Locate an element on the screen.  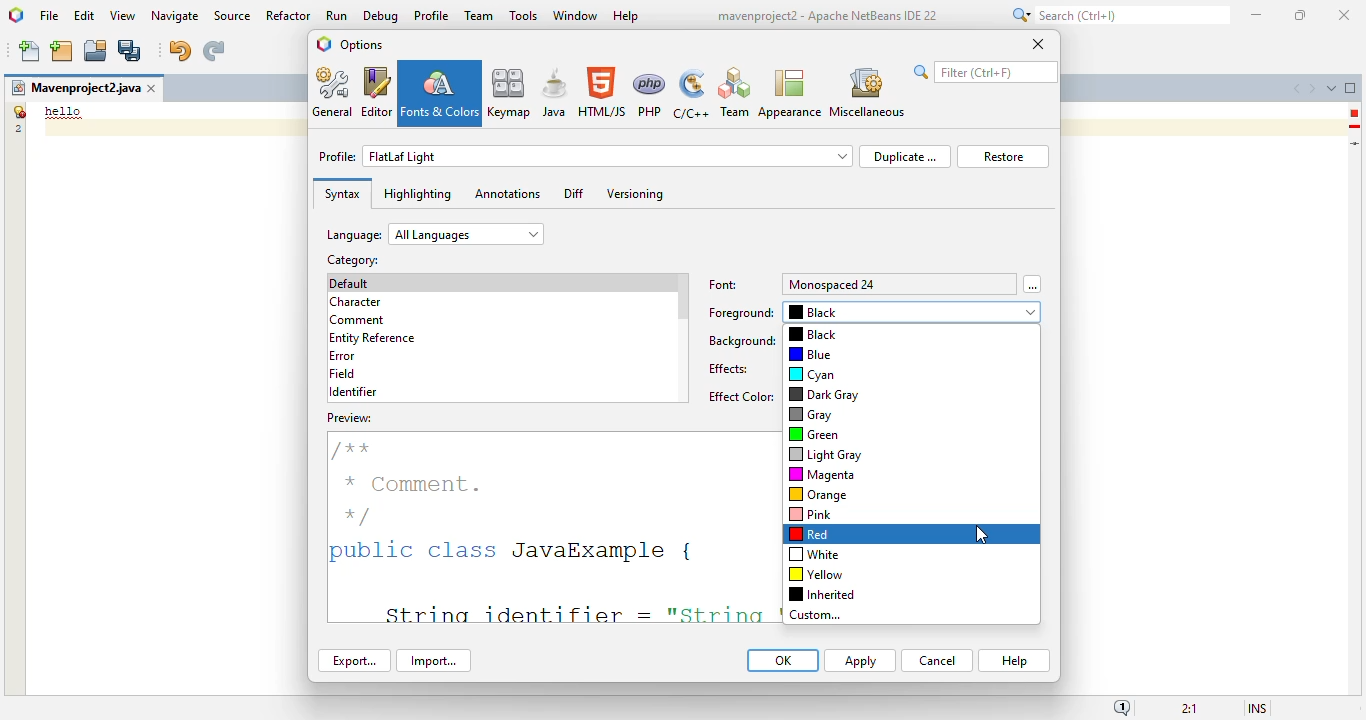
black is located at coordinates (812, 334).